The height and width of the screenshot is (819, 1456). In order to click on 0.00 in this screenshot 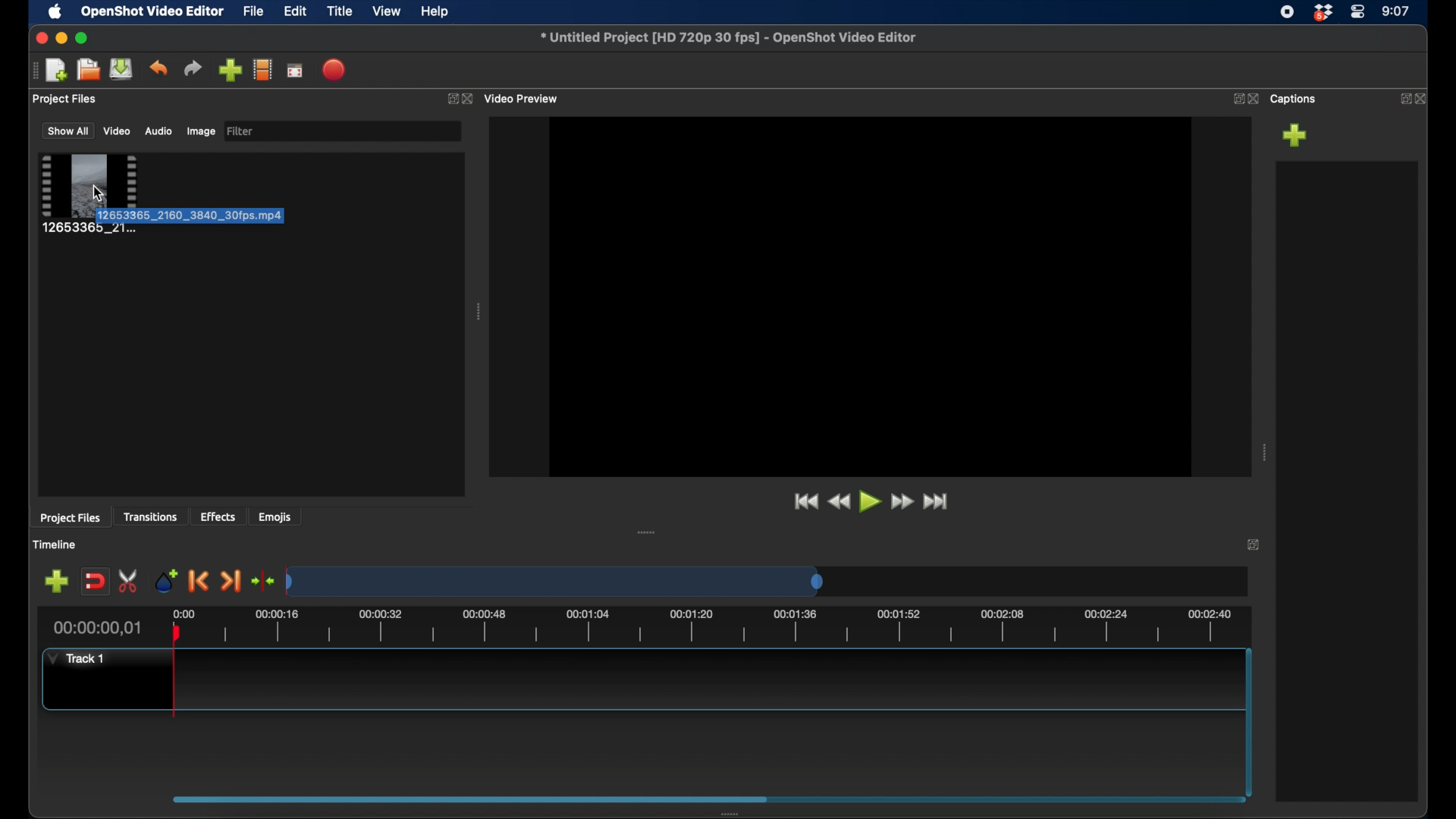, I will do `click(182, 612)`.